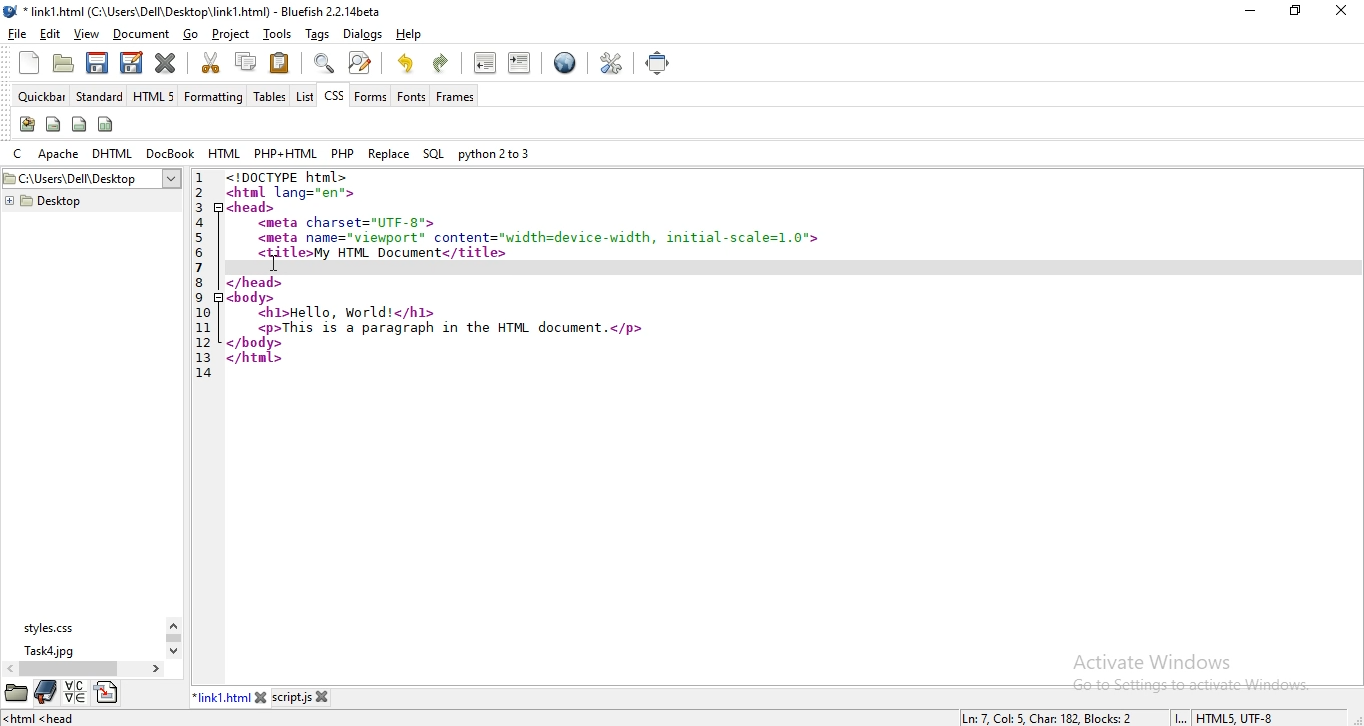 This screenshot has width=1364, height=726. I want to click on copy, so click(246, 60).